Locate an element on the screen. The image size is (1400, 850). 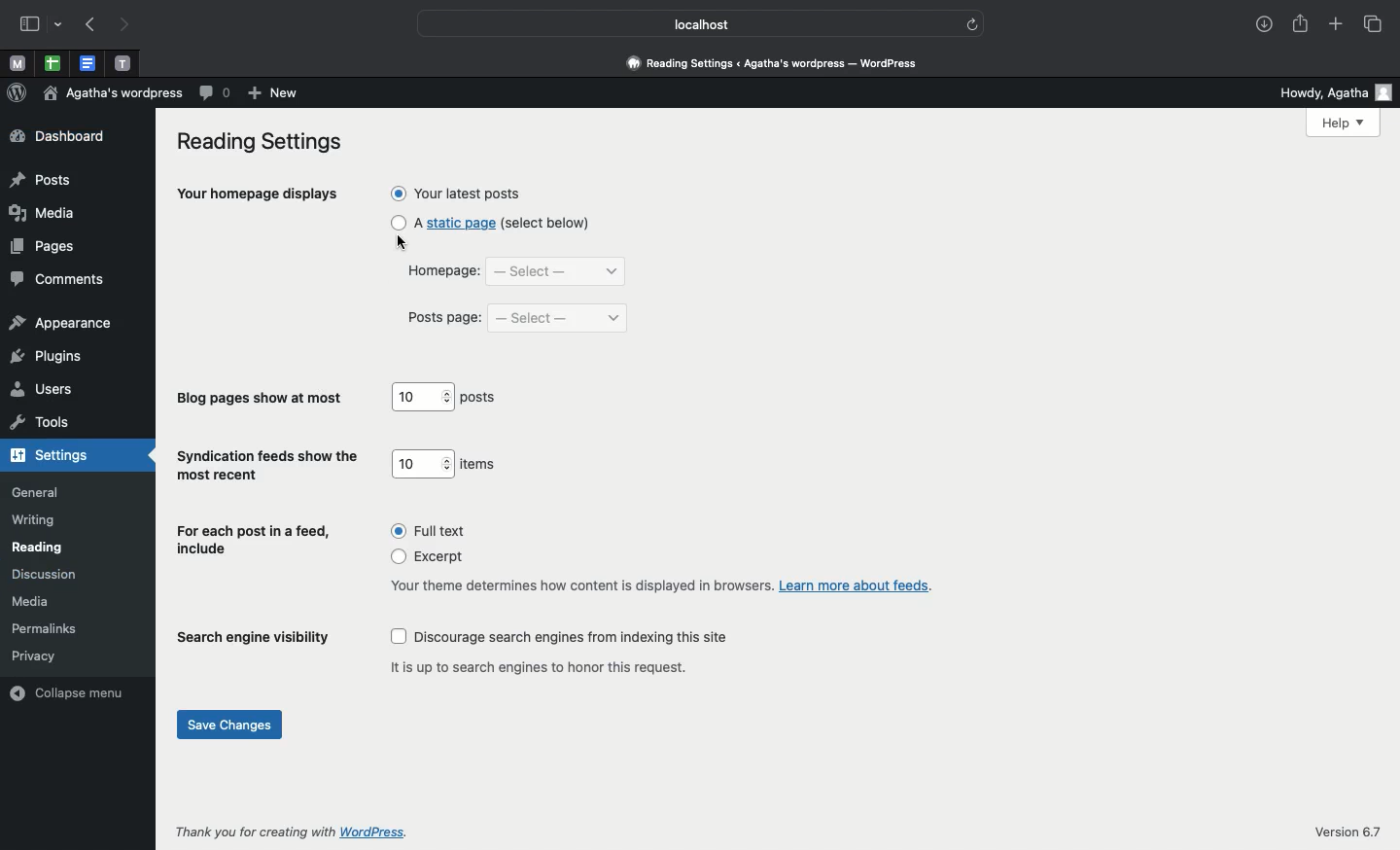
Excerpt is located at coordinates (435, 558).